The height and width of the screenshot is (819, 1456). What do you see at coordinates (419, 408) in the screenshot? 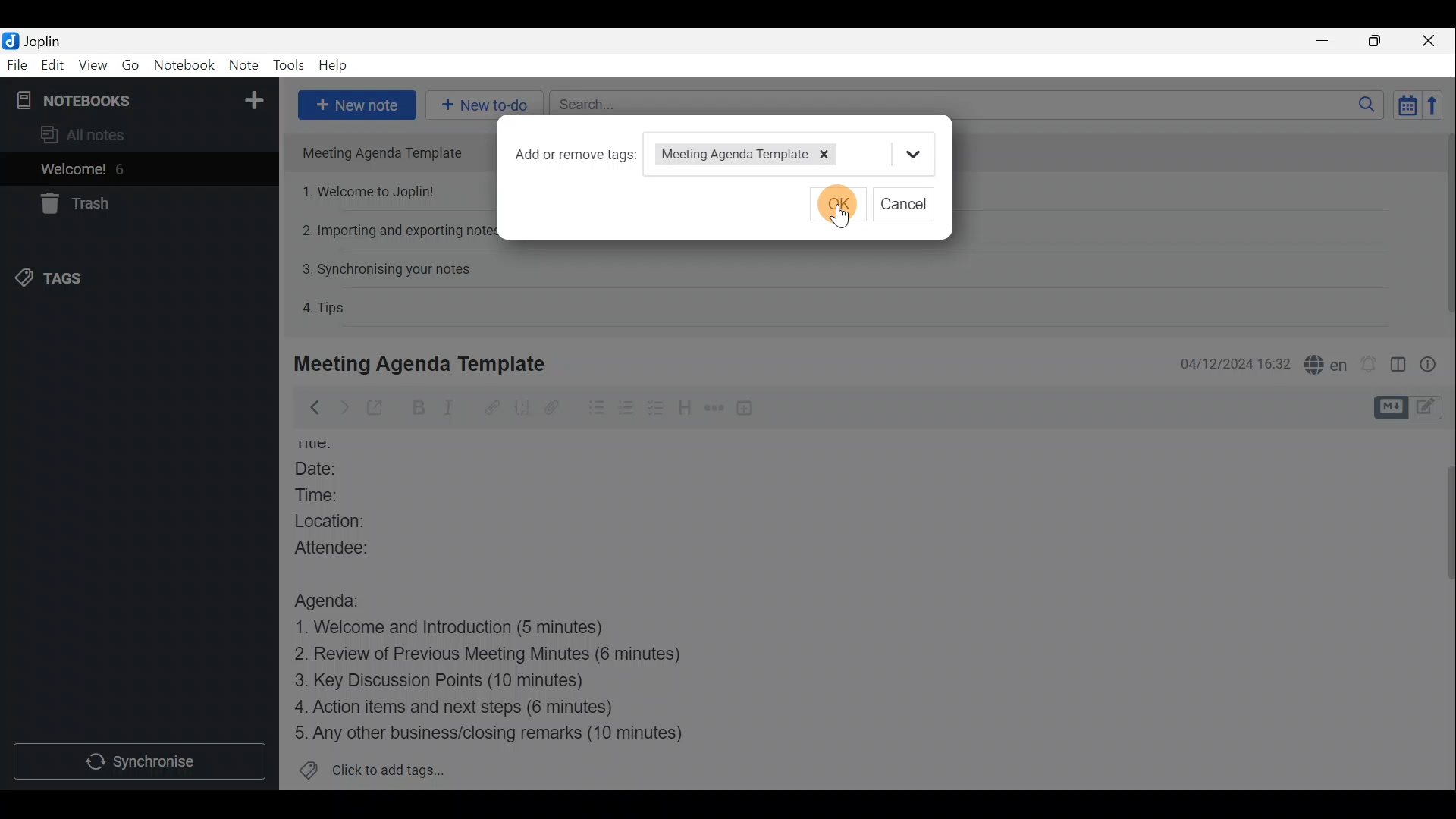
I see `Bold` at bounding box center [419, 408].